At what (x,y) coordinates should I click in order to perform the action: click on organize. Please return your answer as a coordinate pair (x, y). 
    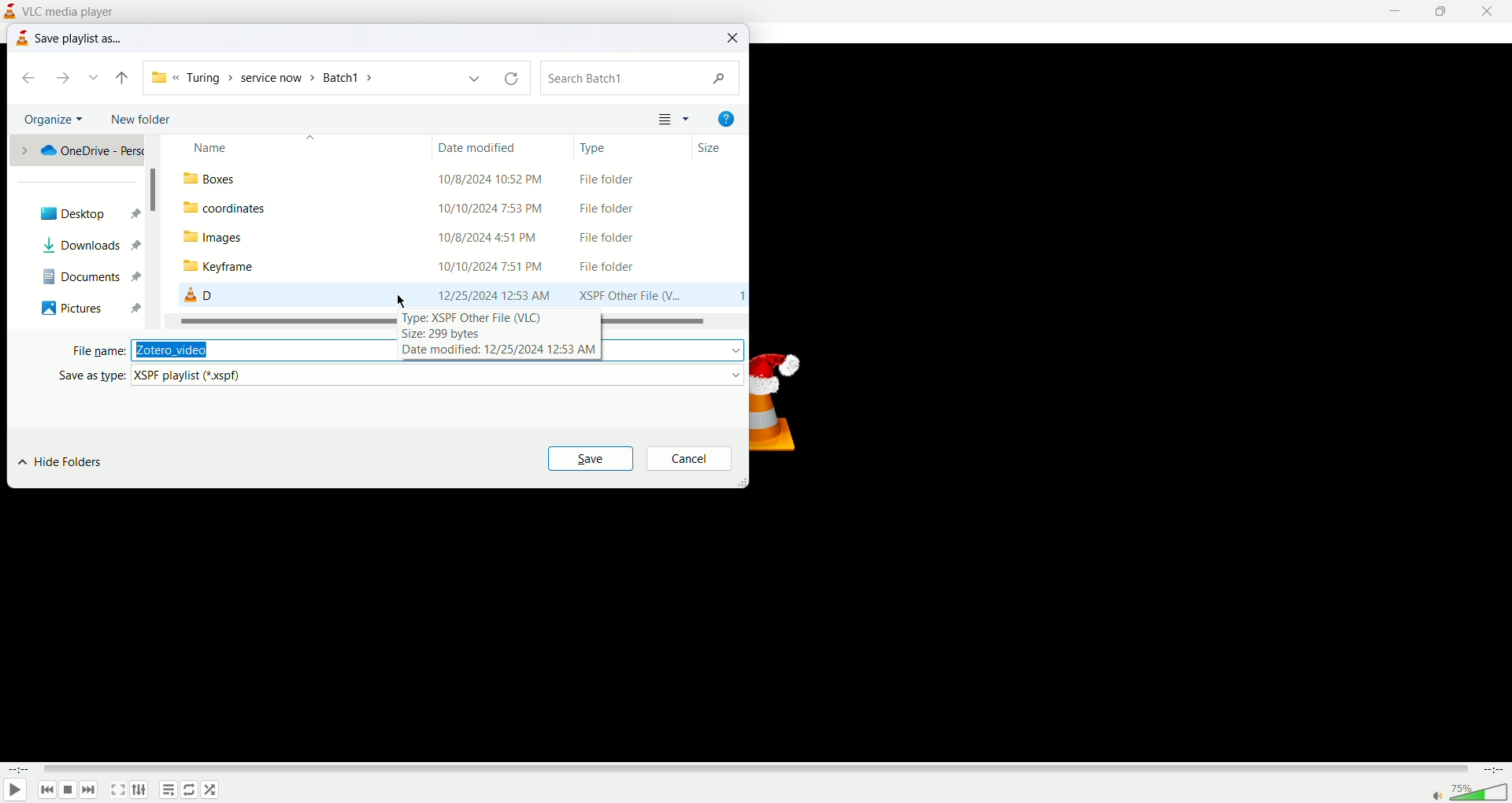
    Looking at the image, I should click on (55, 120).